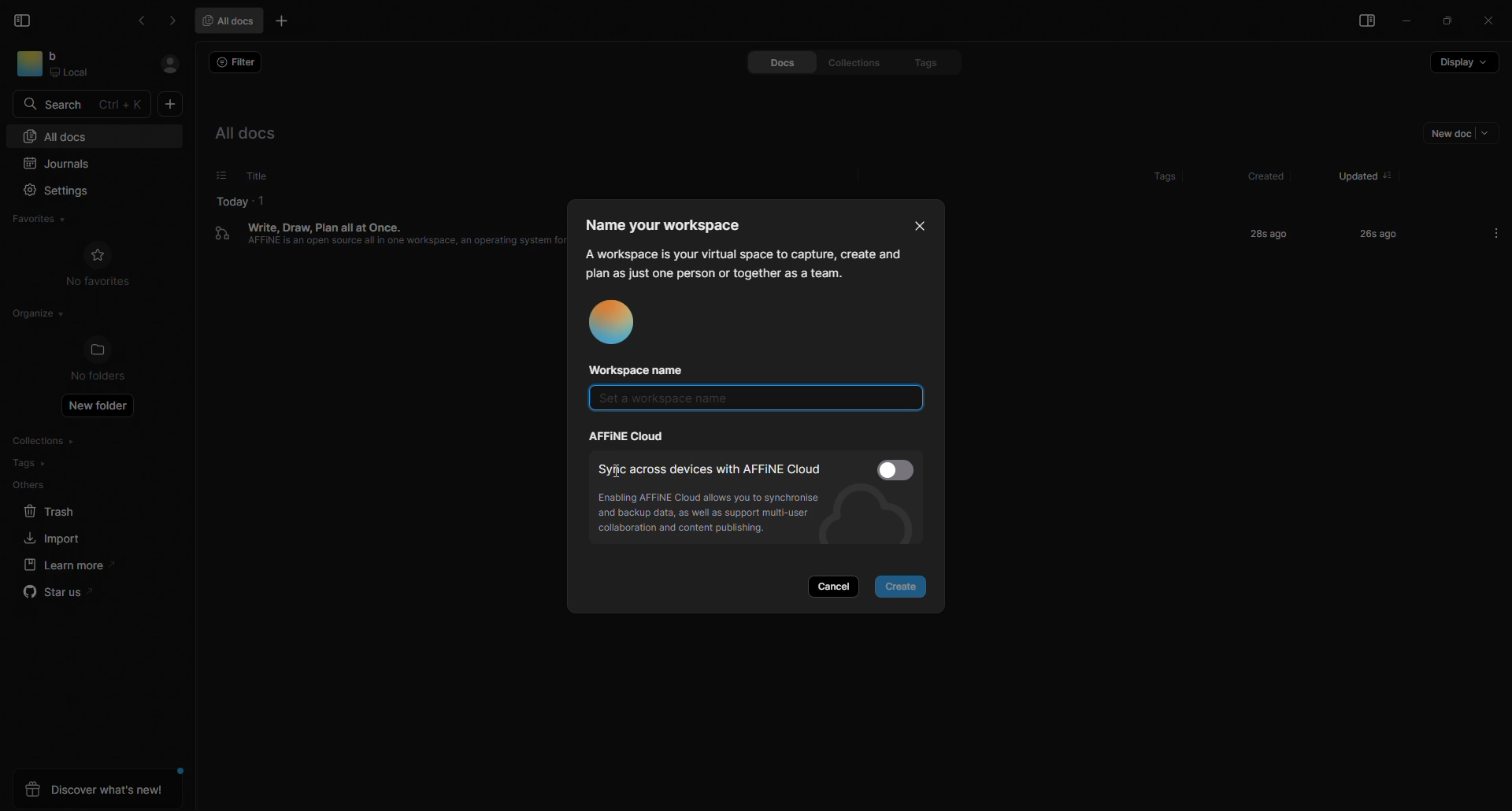 The image size is (1512, 811). I want to click on time, so click(1366, 233).